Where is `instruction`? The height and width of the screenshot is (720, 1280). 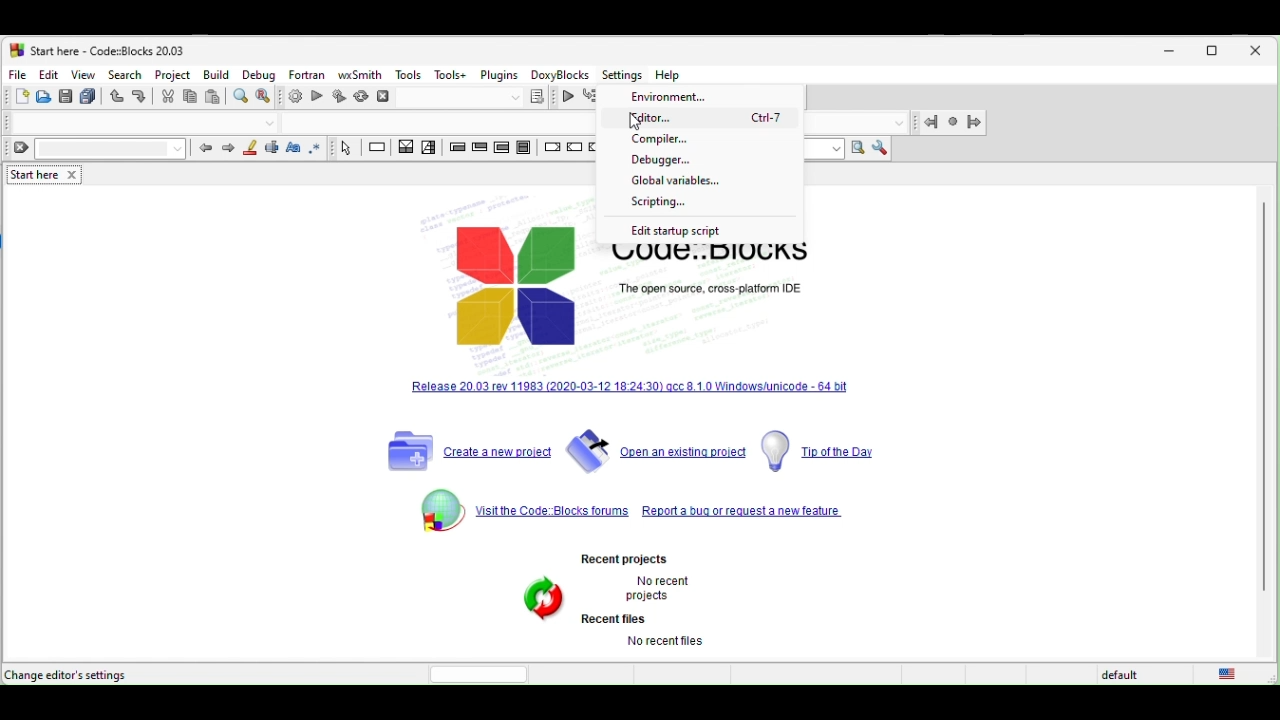 instruction is located at coordinates (378, 149).